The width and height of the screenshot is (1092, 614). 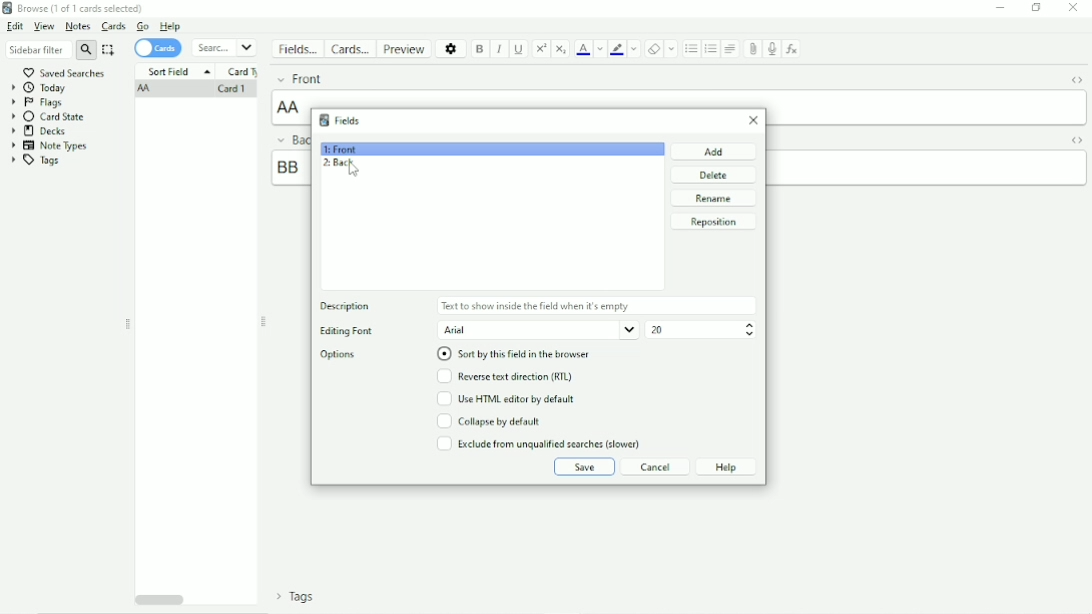 I want to click on Add, so click(x=715, y=151).